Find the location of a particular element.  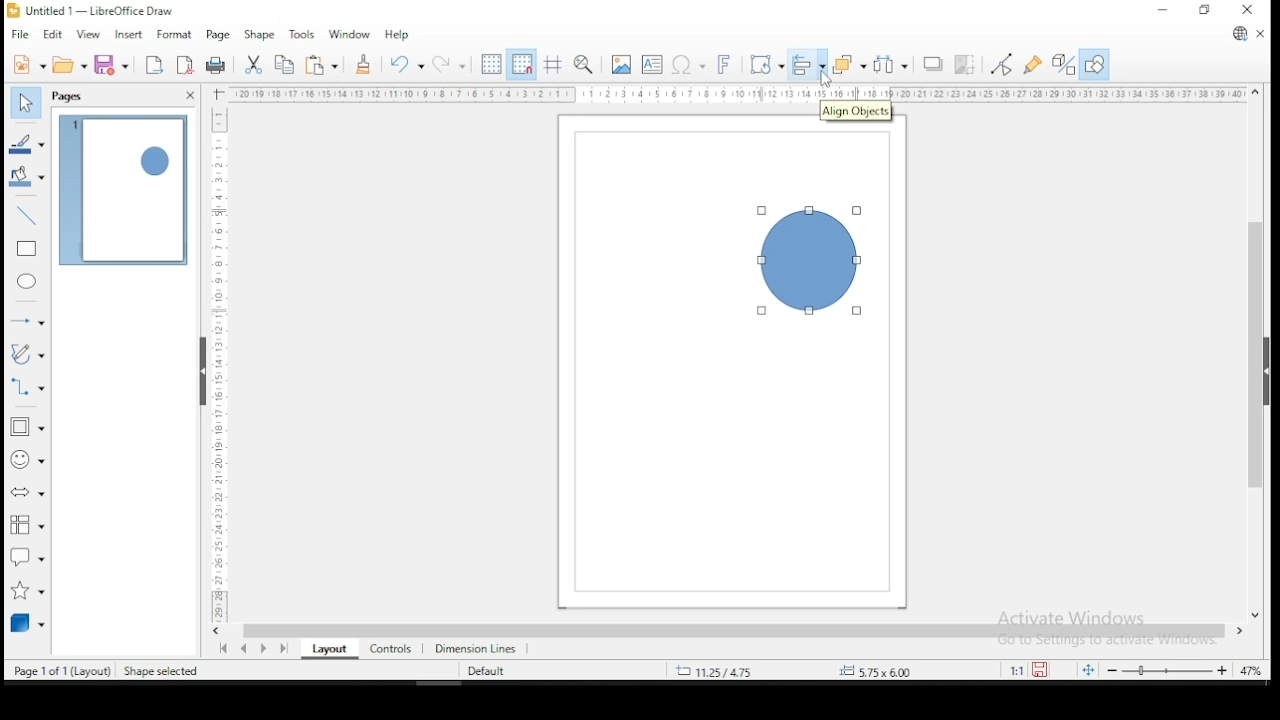

scroll bar is located at coordinates (1256, 352).